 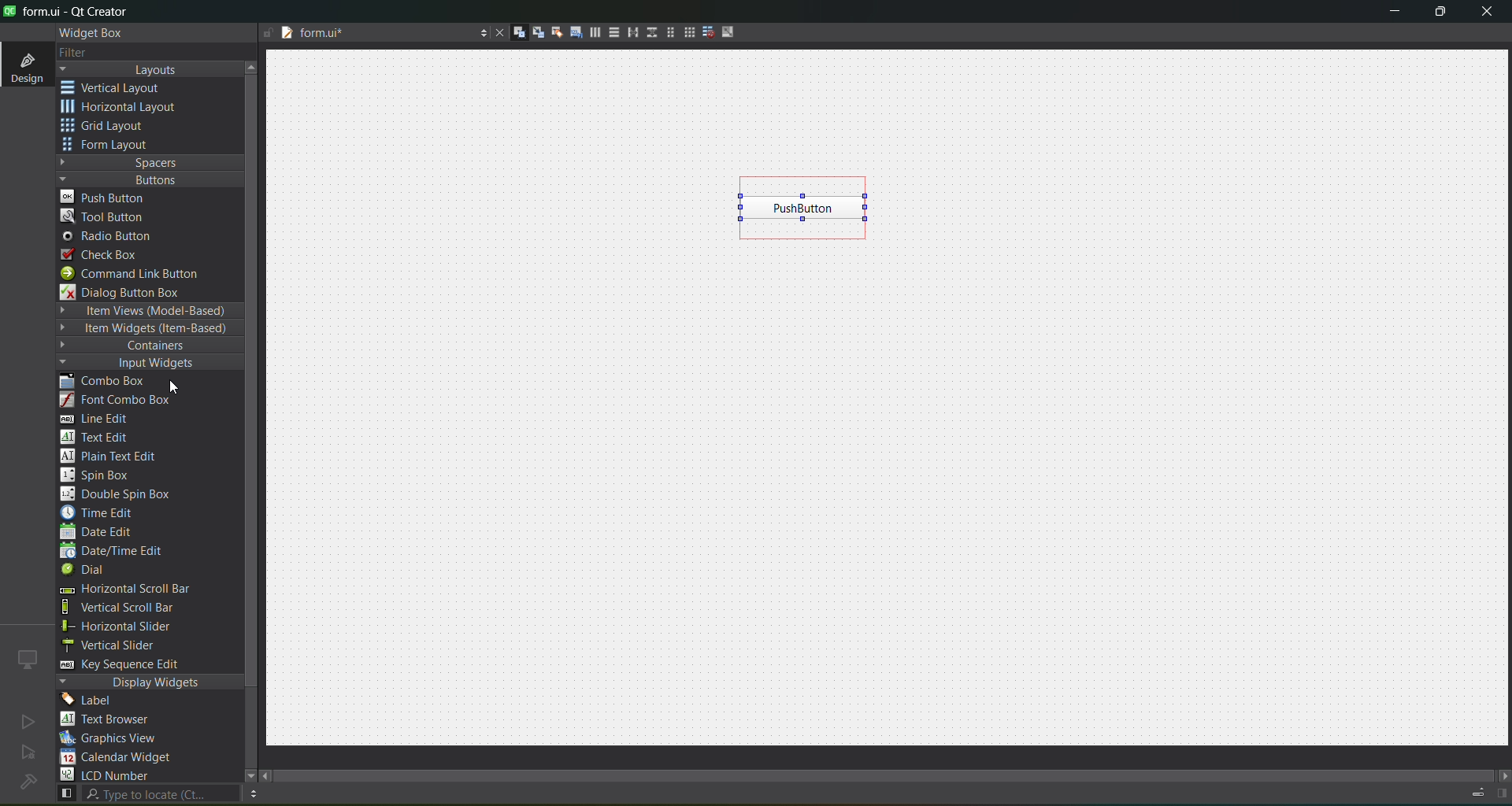 I want to click on layout in a form, so click(x=665, y=32).